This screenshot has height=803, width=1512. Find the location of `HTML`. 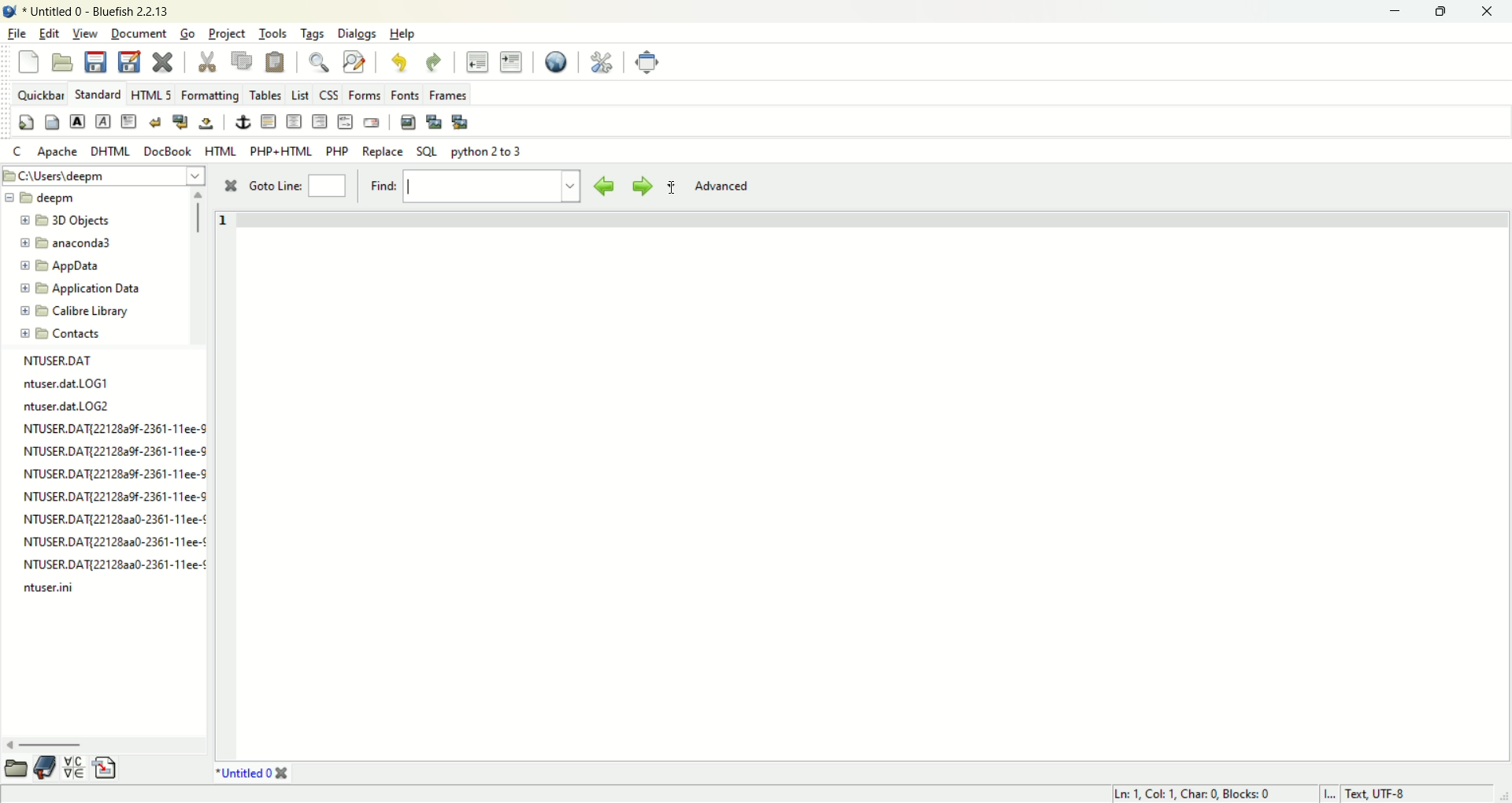

HTML is located at coordinates (221, 150).